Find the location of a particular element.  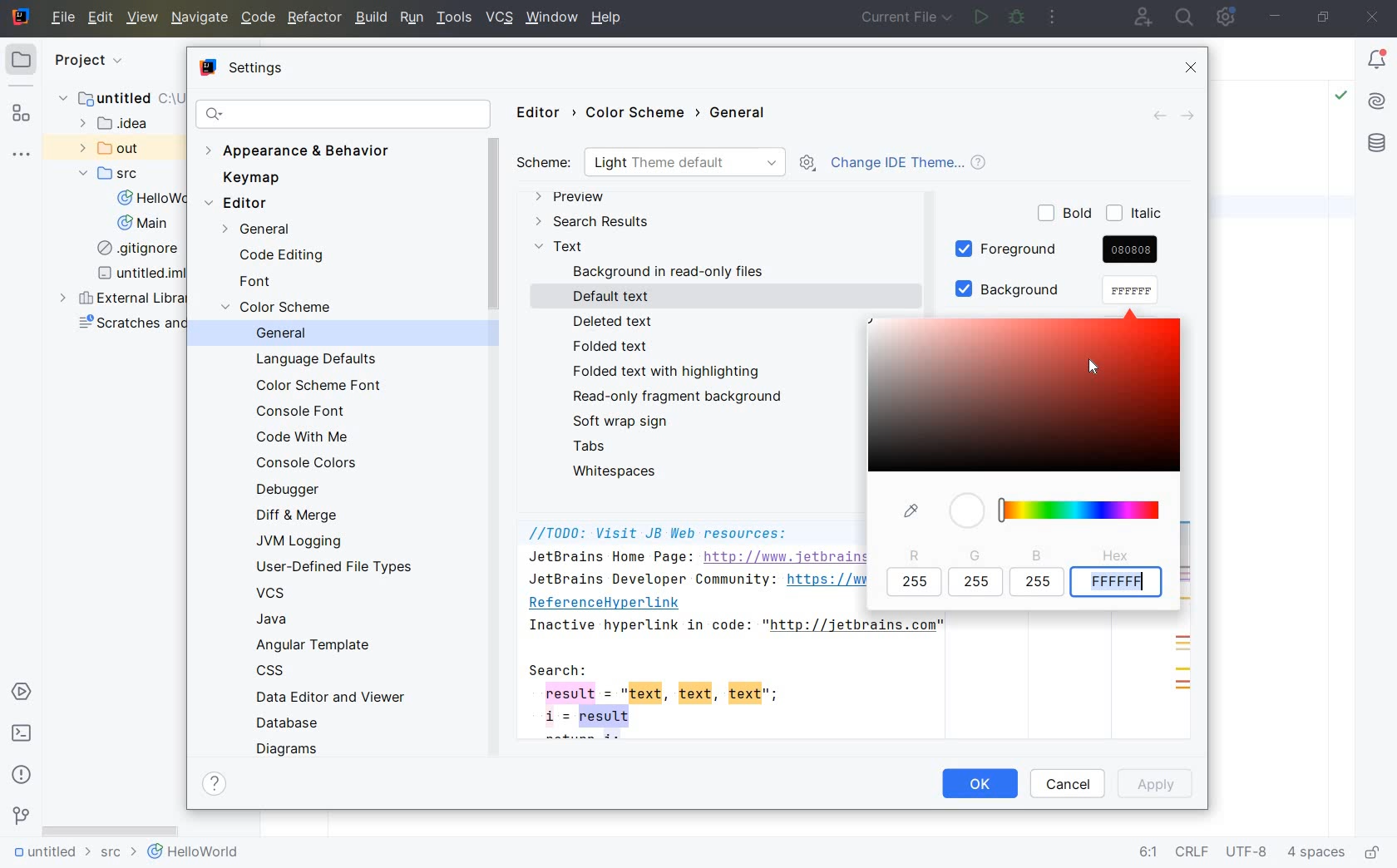

COLOR SCHEME is located at coordinates (643, 114).